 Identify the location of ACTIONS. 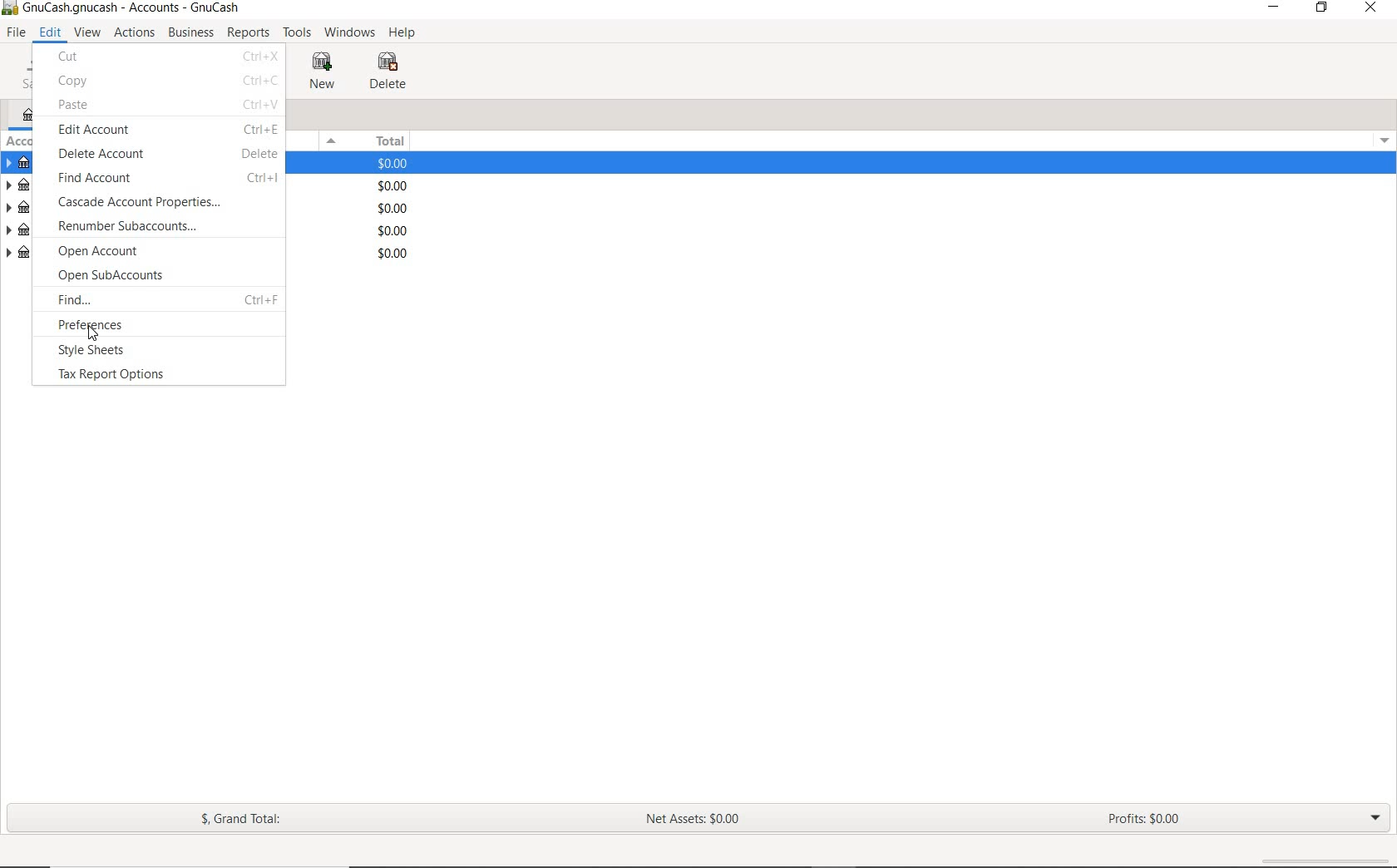
(133, 34).